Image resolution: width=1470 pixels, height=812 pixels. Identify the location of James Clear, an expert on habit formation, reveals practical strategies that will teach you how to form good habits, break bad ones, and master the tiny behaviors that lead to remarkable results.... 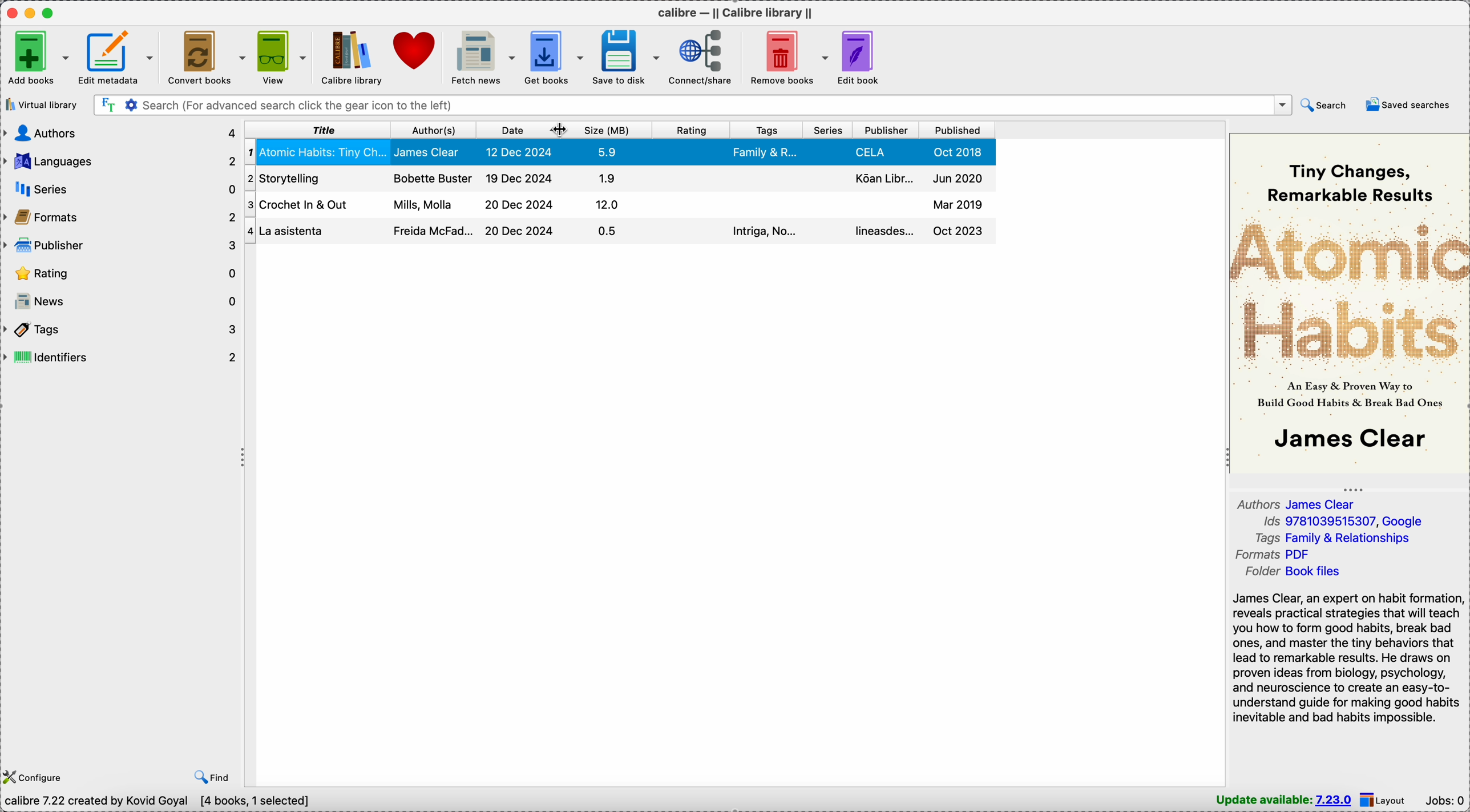
(1345, 657).